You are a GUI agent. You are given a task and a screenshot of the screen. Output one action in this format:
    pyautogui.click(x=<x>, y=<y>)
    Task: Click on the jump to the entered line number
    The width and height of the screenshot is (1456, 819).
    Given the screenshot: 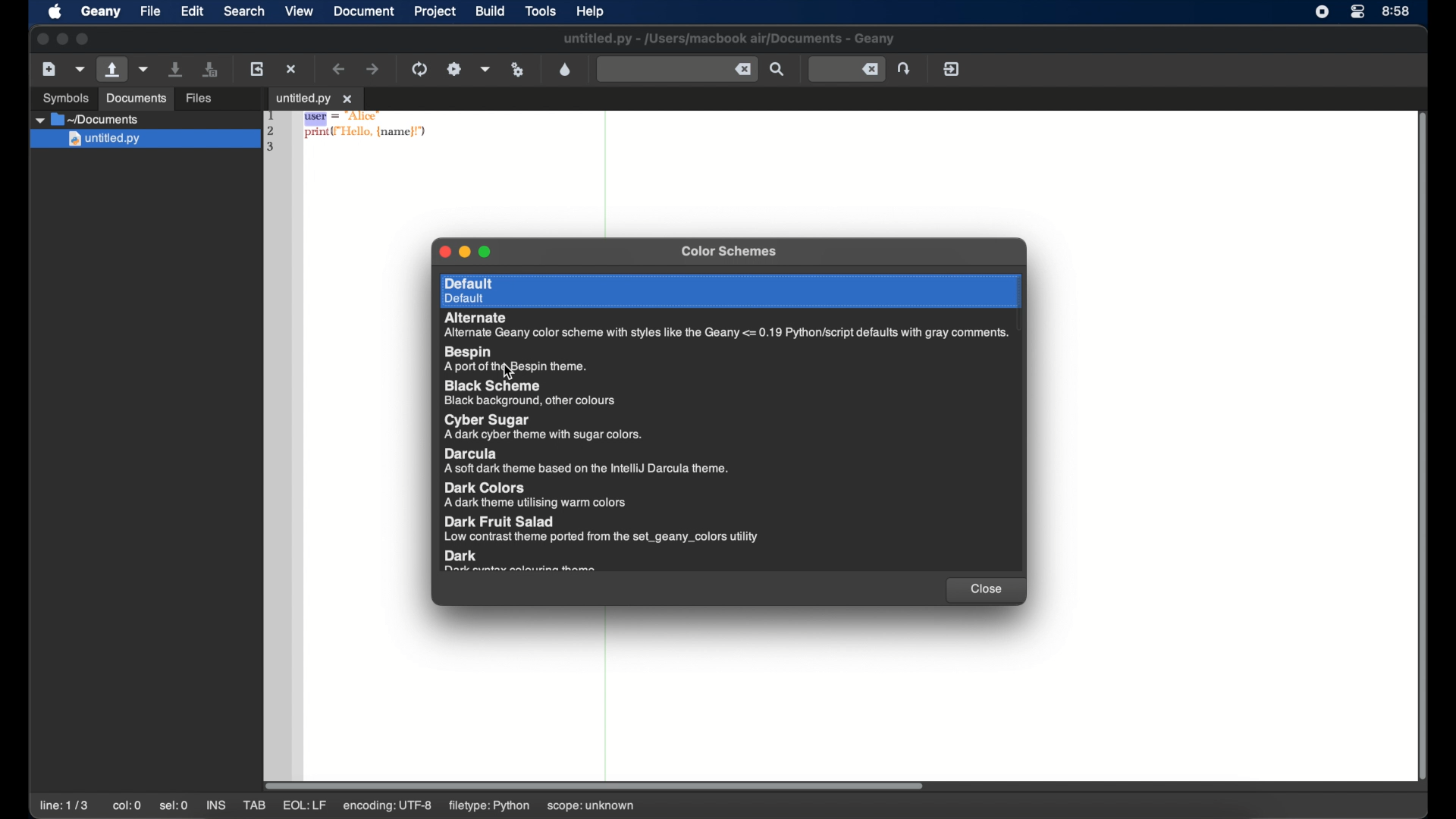 What is the action you would take?
    pyautogui.click(x=905, y=68)
    